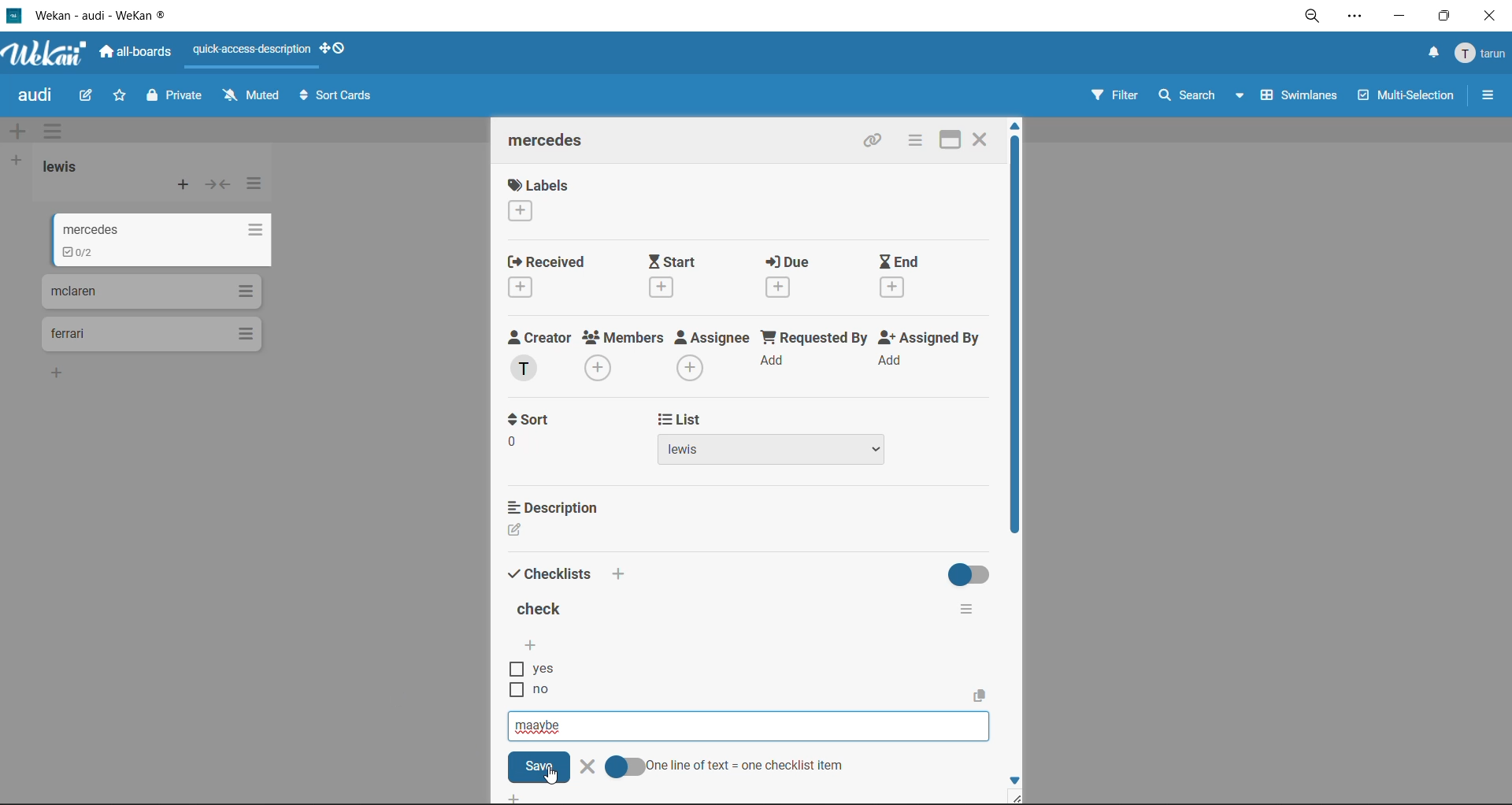 The width and height of the screenshot is (1512, 805). I want to click on swimlanes, so click(1302, 98).